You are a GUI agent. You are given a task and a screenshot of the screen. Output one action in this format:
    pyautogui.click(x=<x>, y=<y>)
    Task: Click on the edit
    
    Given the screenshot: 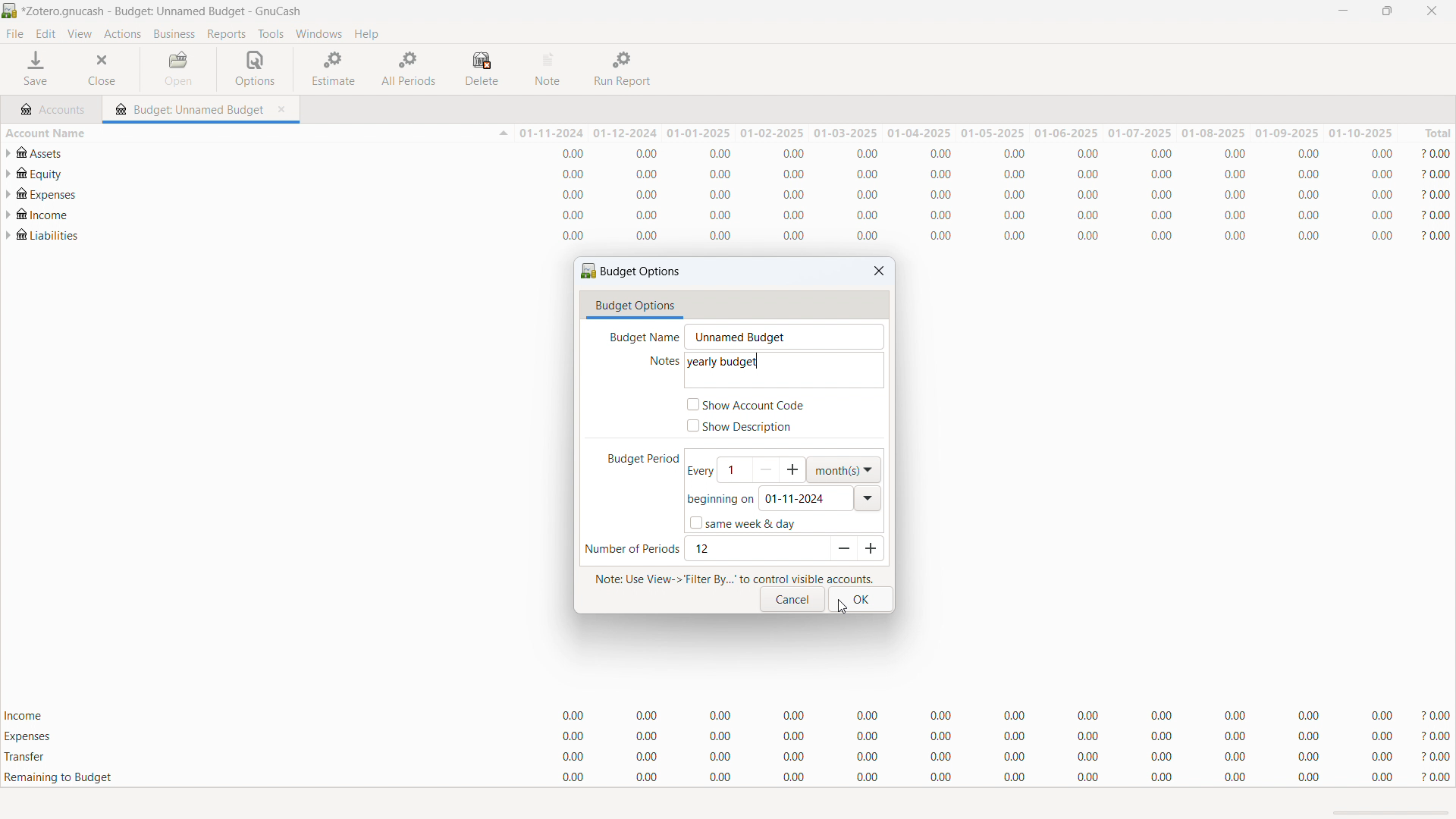 What is the action you would take?
    pyautogui.click(x=46, y=34)
    